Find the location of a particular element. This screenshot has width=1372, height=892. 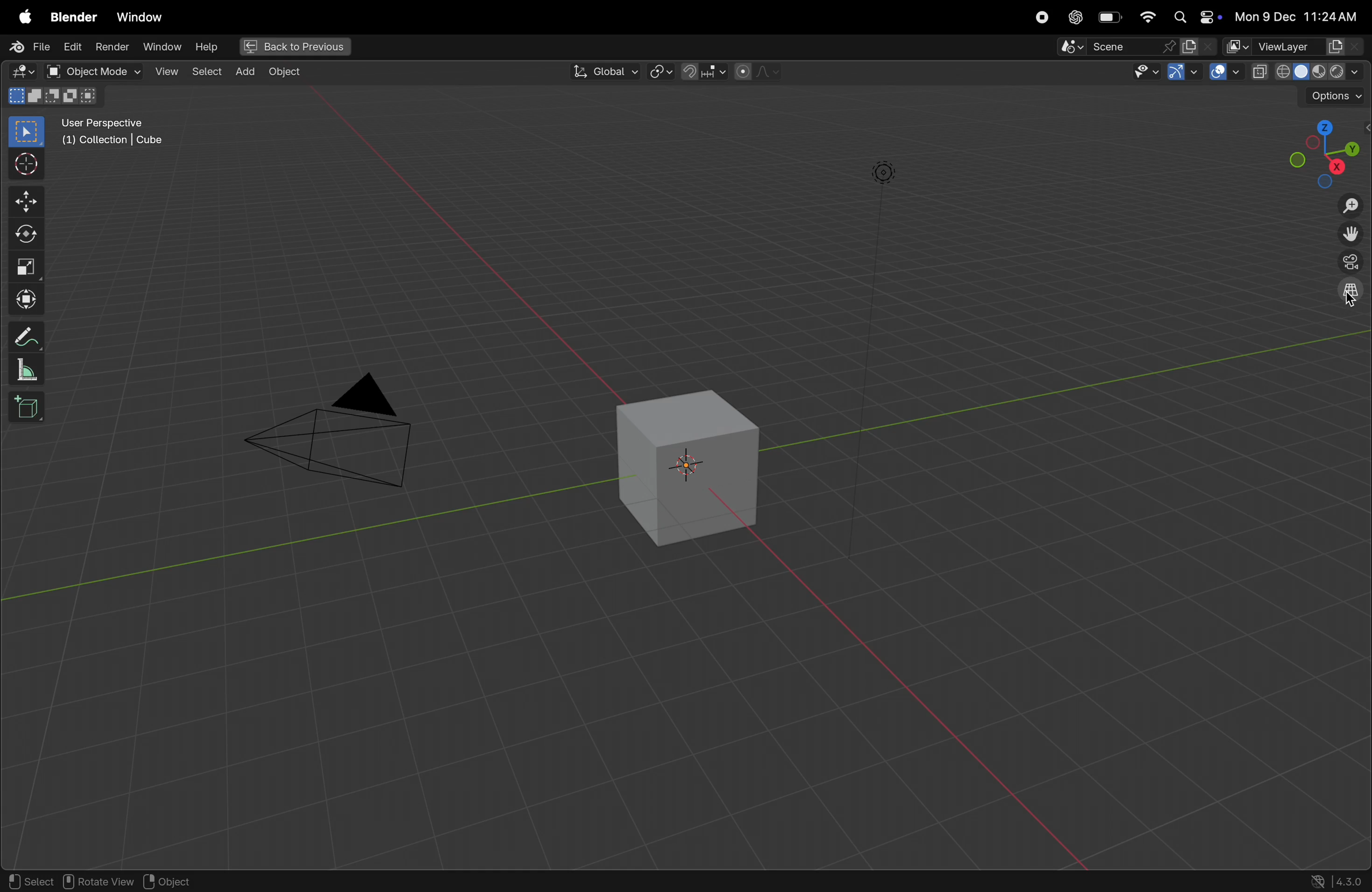

transform is located at coordinates (24, 300).